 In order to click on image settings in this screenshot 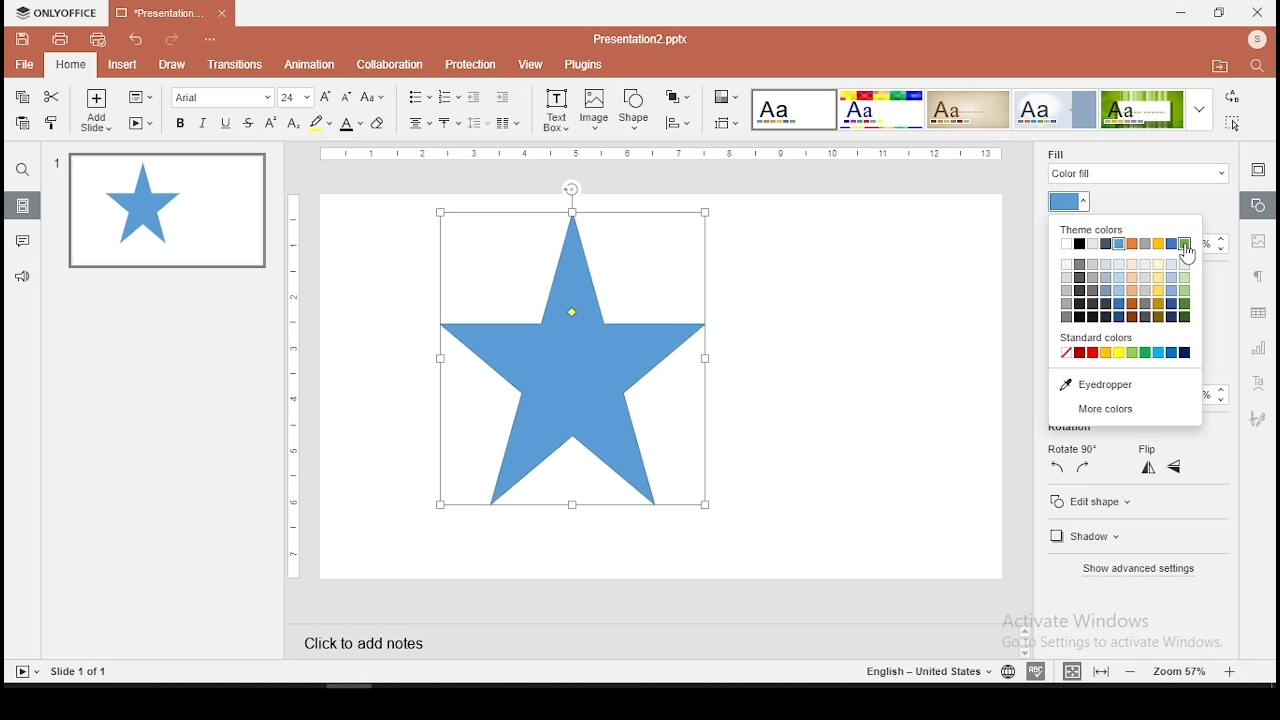, I will do `click(1259, 241)`.